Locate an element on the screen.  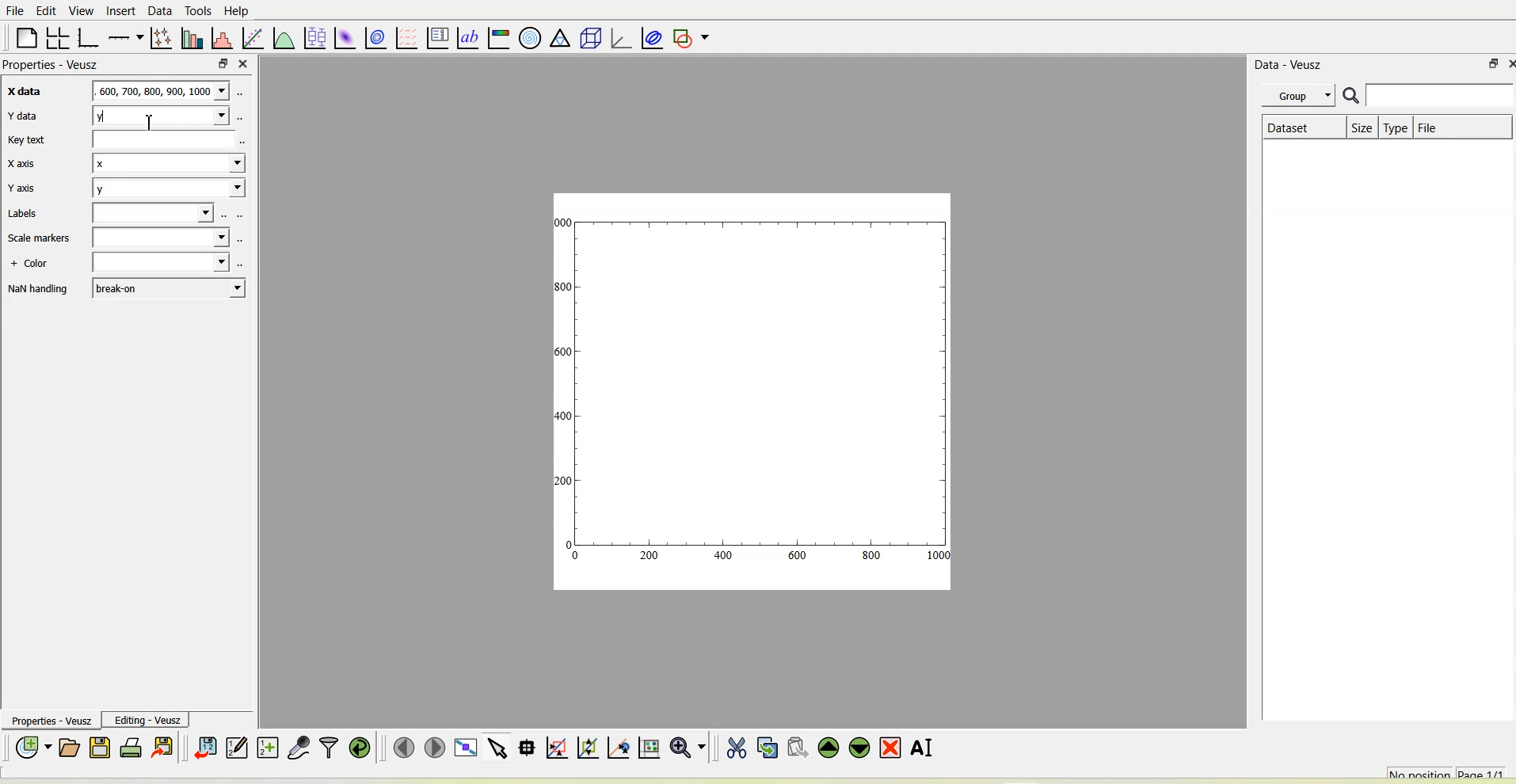
Search bar is located at coordinates (1427, 95).